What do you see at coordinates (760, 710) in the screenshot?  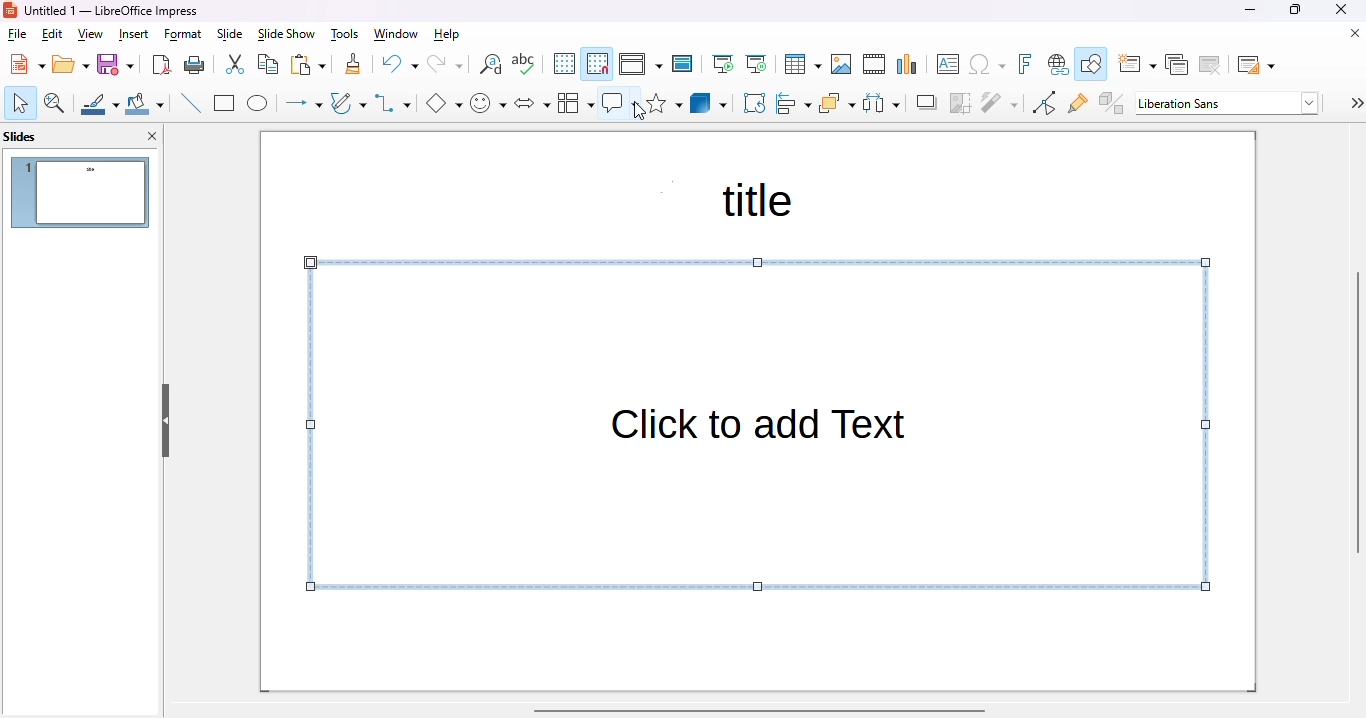 I see `horizontal scroll bar` at bounding box center [760, 710].